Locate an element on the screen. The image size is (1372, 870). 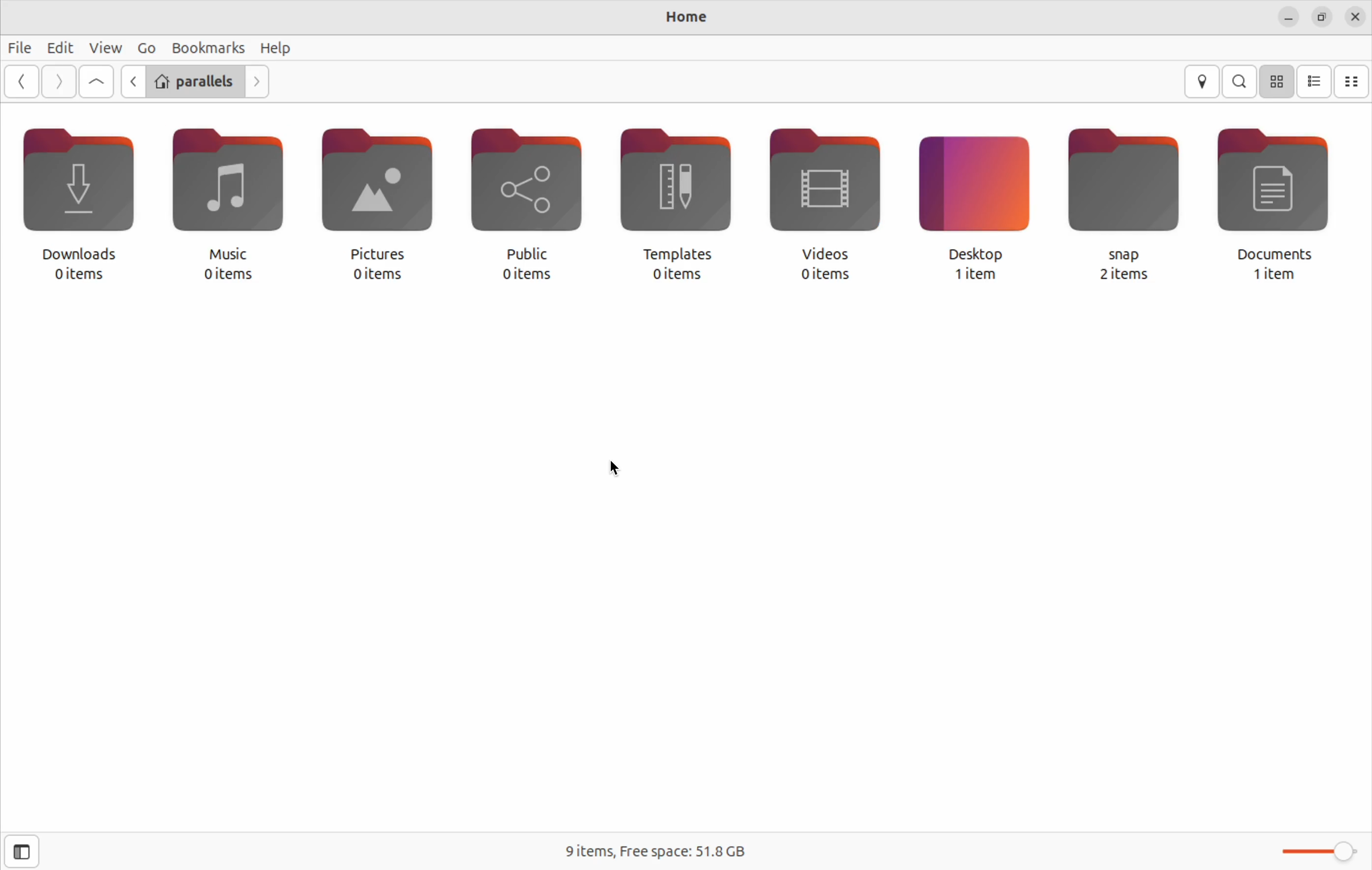
view is located at coordinates (106, 47).